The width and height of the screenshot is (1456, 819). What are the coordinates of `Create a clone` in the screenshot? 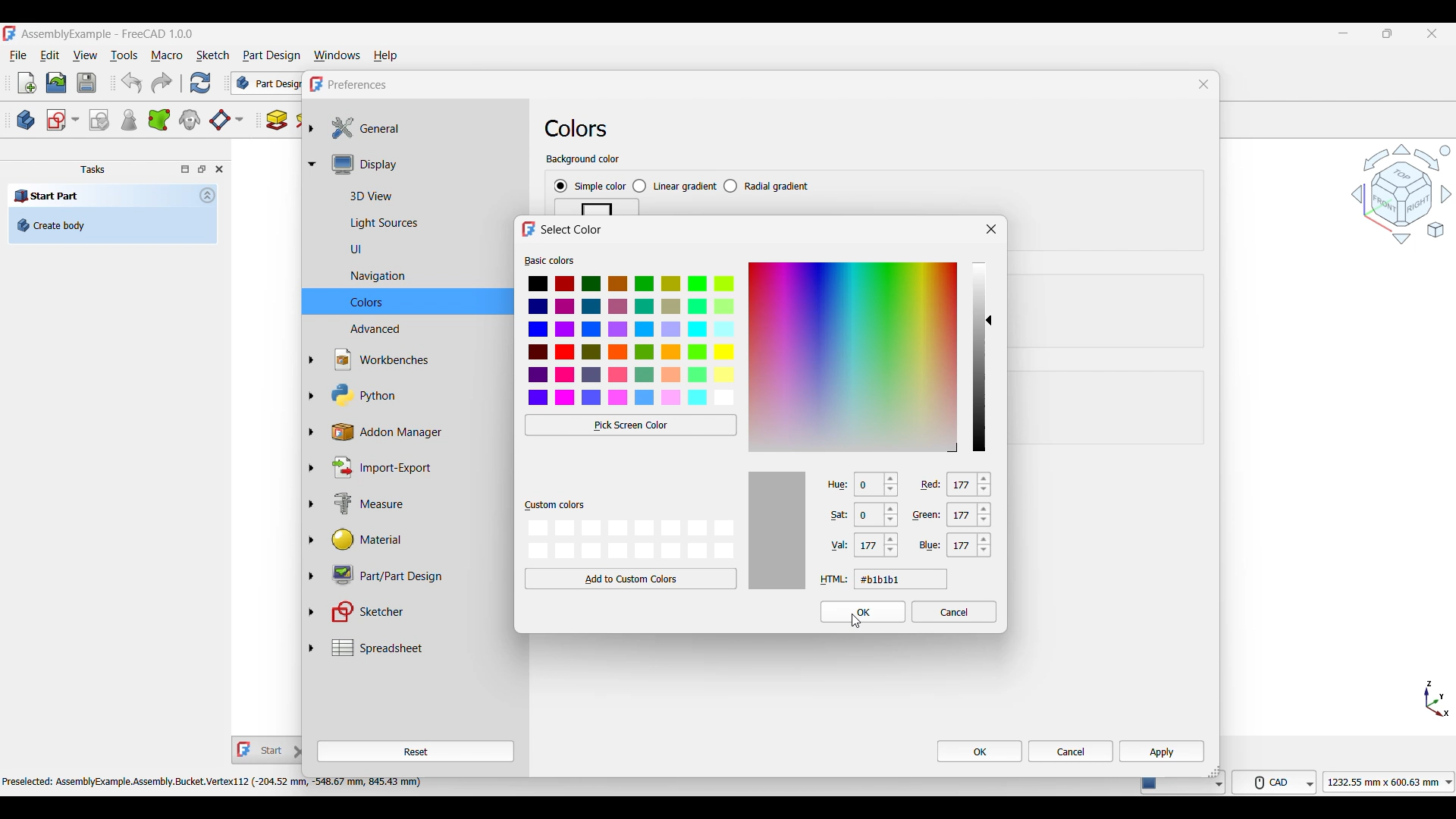 It's located at (190, 119).